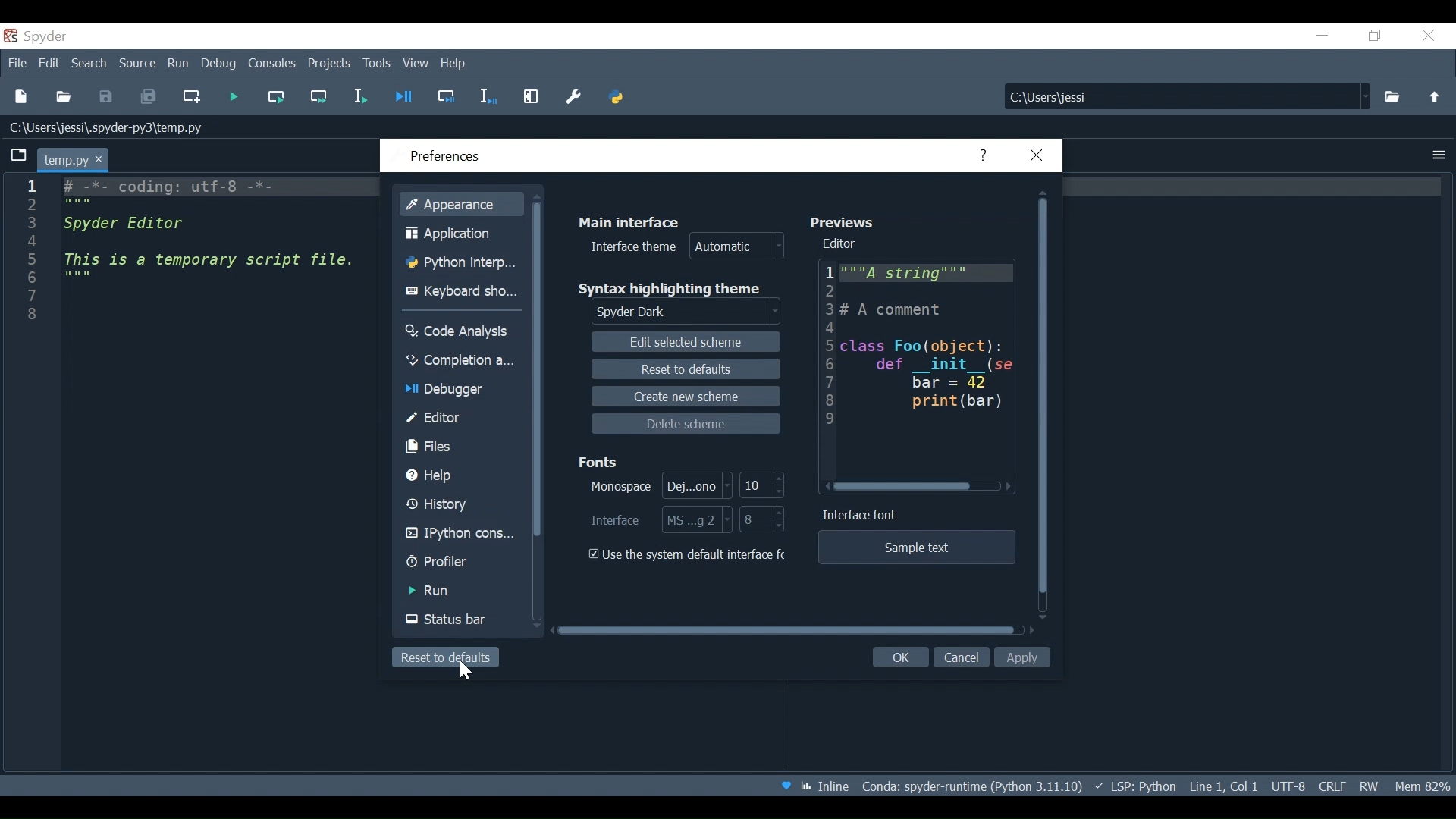  What do you see at coordinates (900, 657) in the screenshot?
I see `OK` at bounding box center [900, 657].